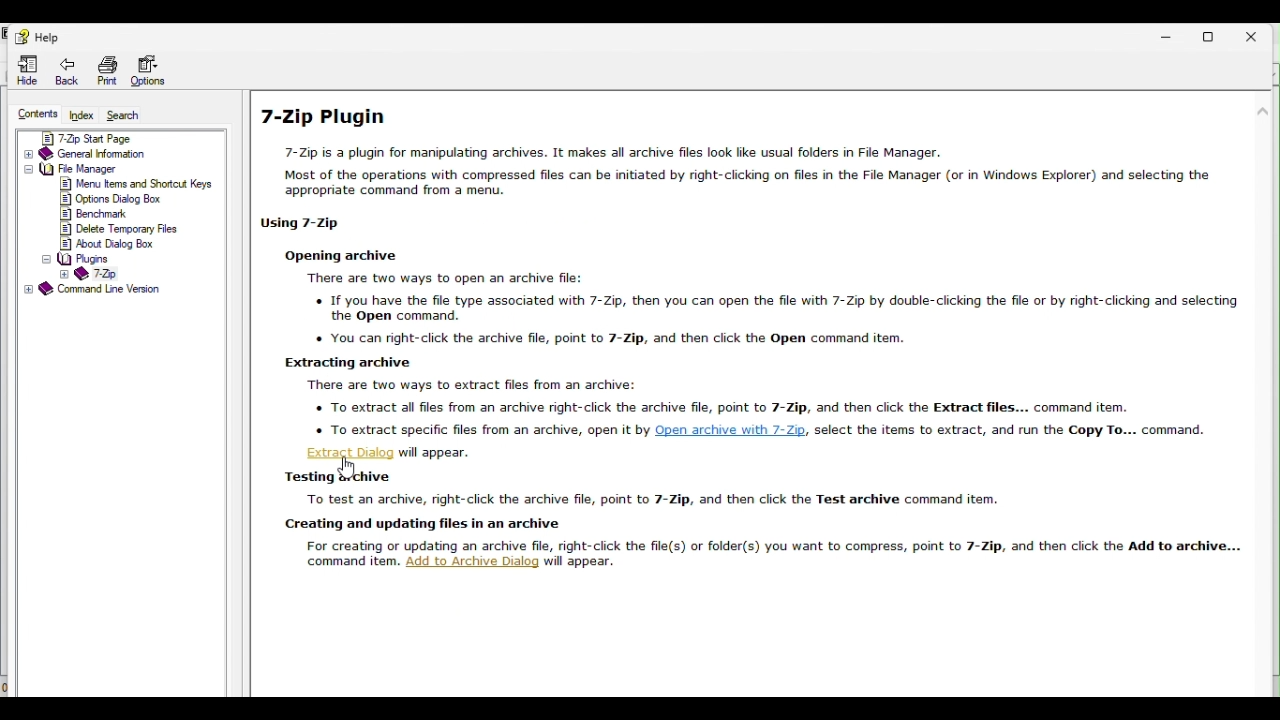 The width and height of the screenshot is (1280, 720). Describe the element at coordinates (744, 388) in the screenshot. I see `Extract dialog` at that location.